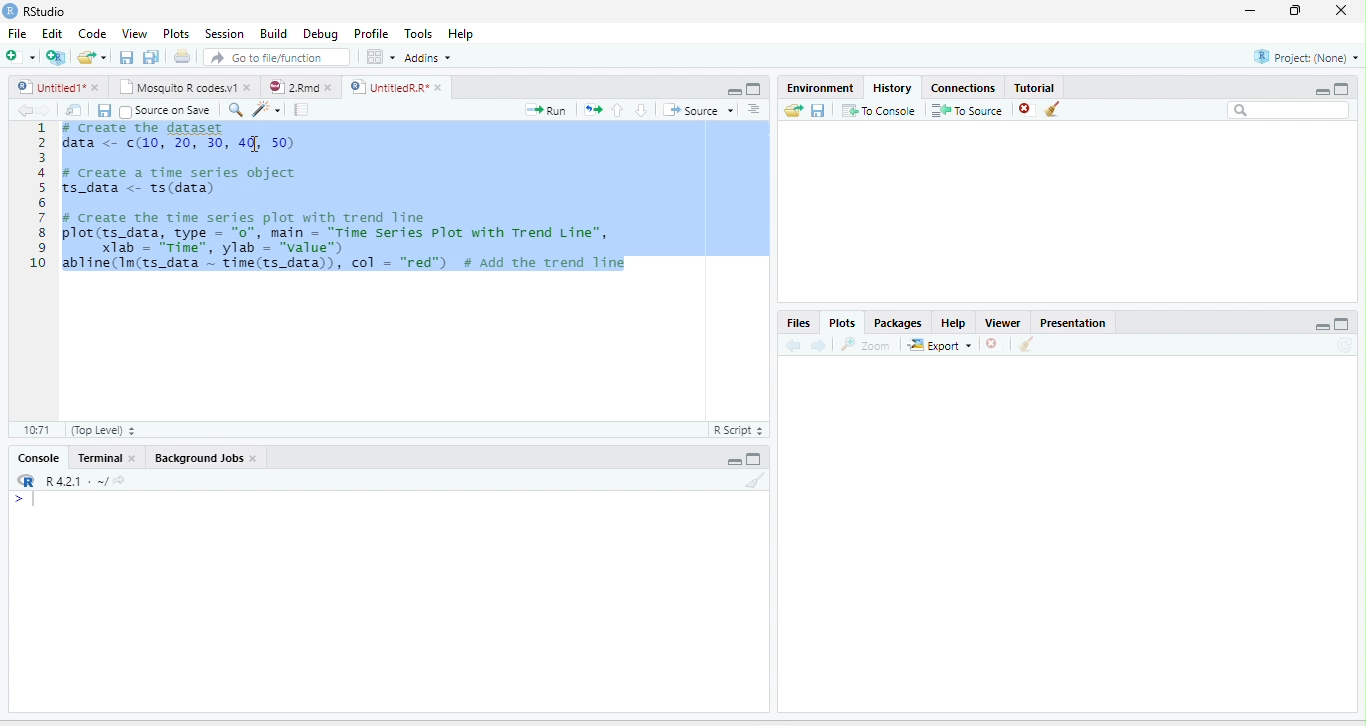 This screenshot has width=1366, height=726. What do you see at coordinates (1250, 11) in the screenshot?
I see `minimize` at bounding box center [1250, 11].